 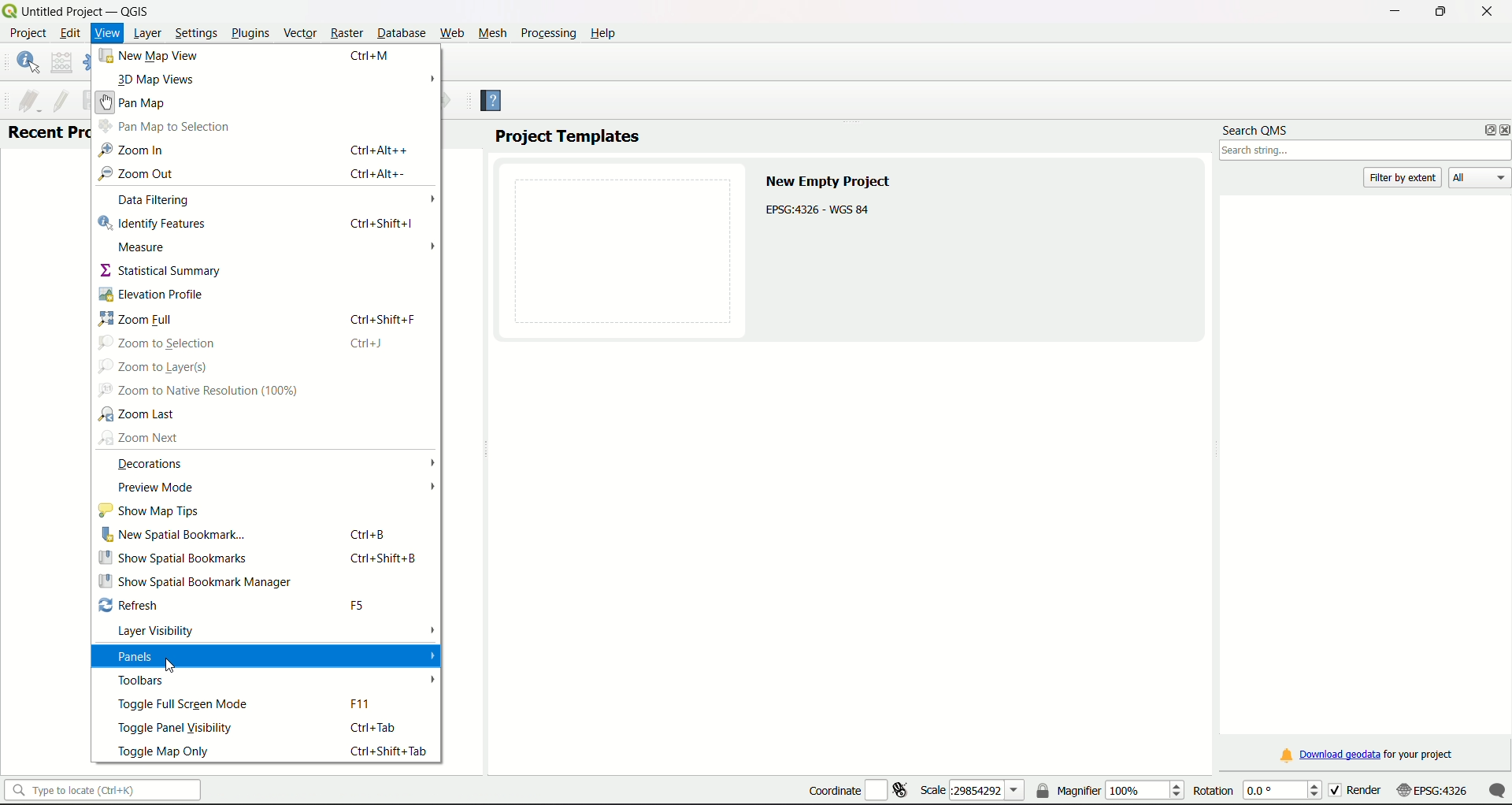 I want to click on search box, so click(x=1366, y=151).